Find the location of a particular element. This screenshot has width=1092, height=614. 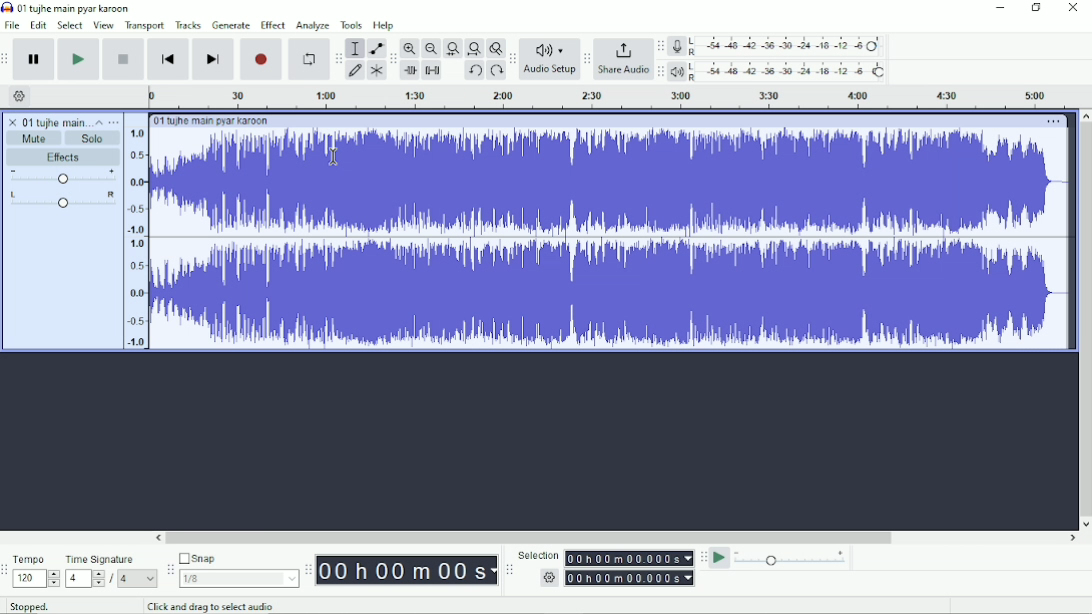

Effect is located at coordinates (273, 24).